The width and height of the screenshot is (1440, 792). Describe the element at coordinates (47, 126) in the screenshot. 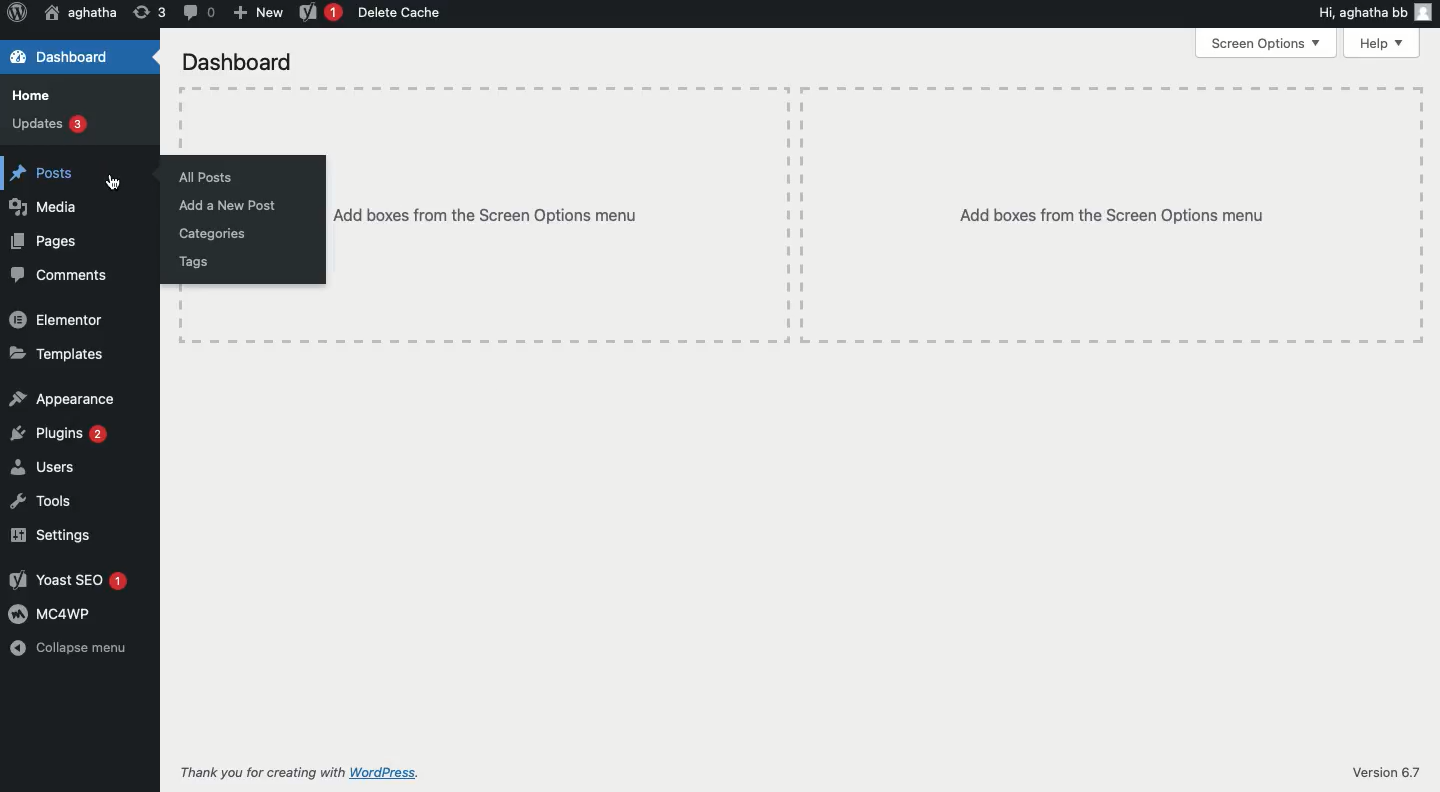

I see `Updates` at that location.